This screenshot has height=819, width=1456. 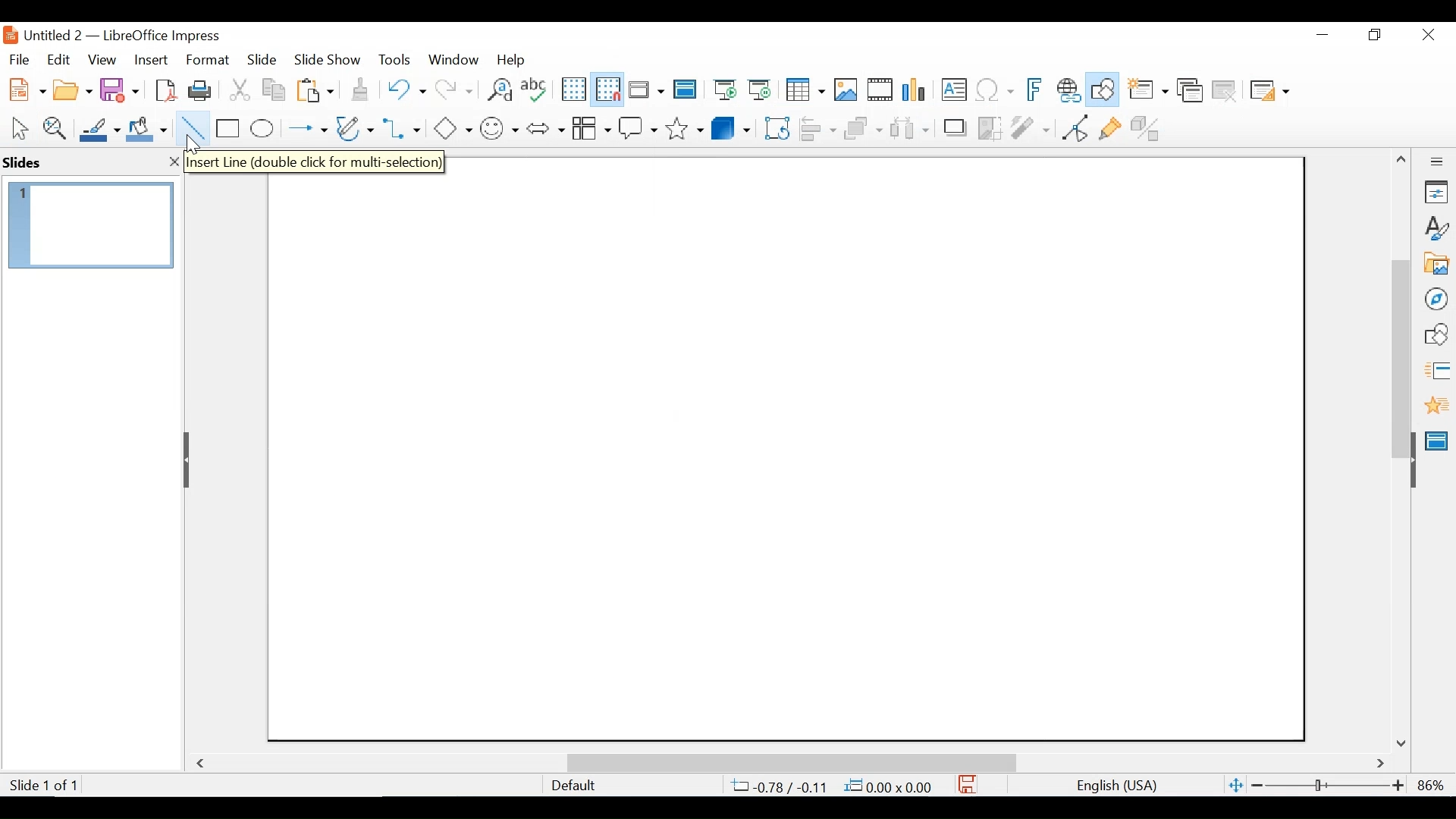 I want to click on 86%, so click(x=1404, y=742).